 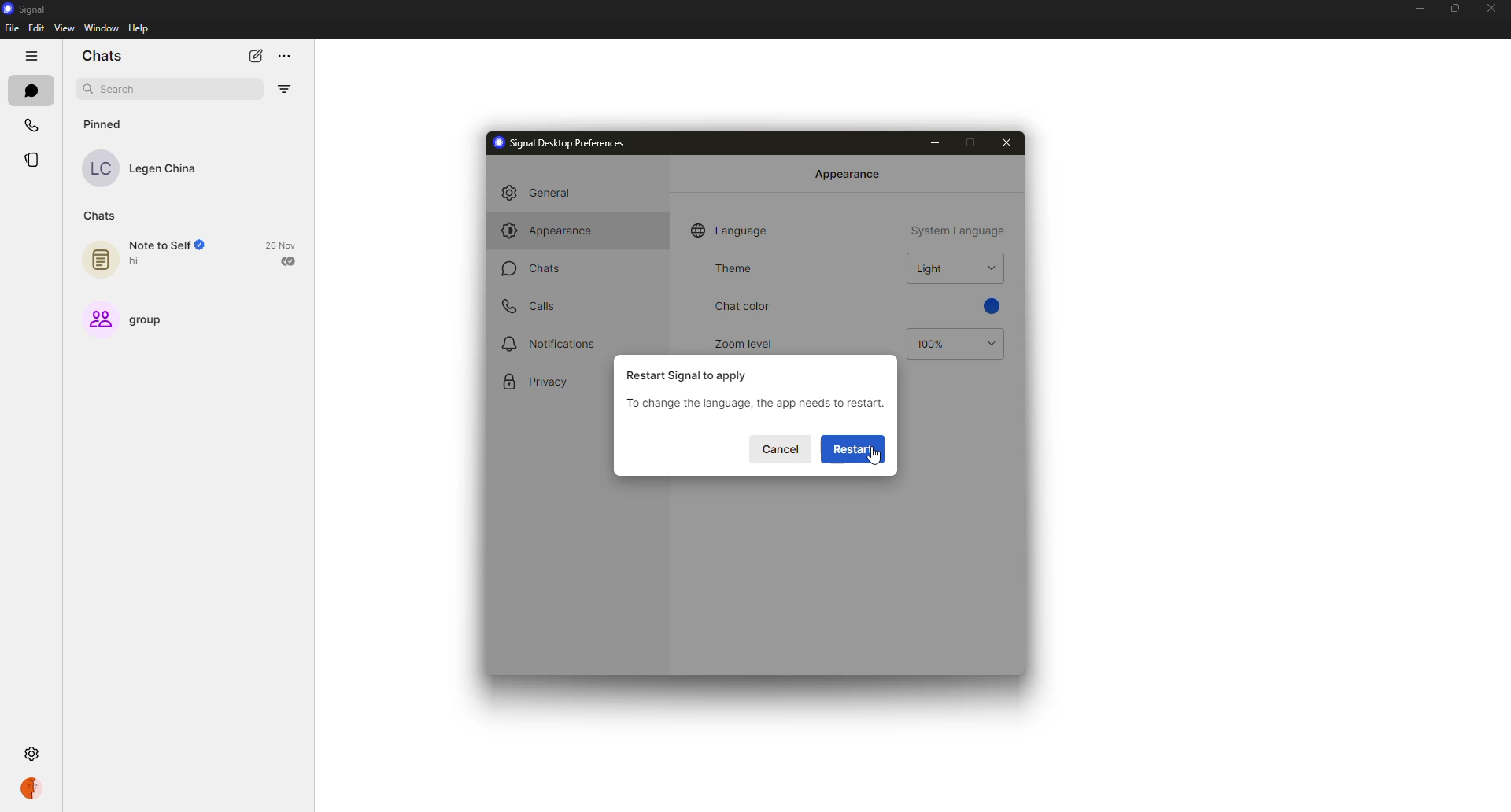 What do you see at coordinates (1011, 142) in the screenshot?
I see `close` at bounding box center [1011, 142].